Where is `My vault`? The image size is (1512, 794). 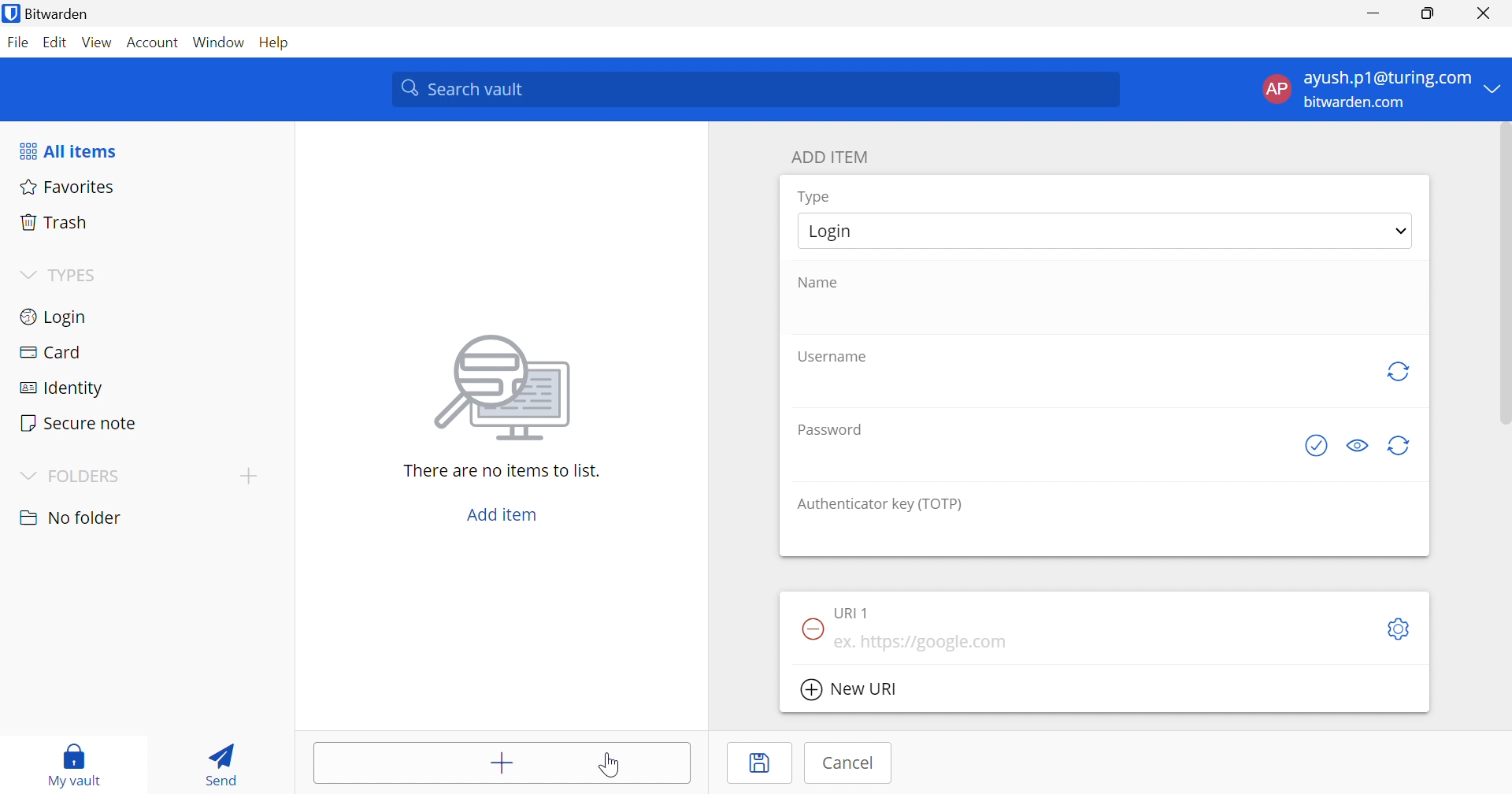 My vault is located at coordinates (72, 762).